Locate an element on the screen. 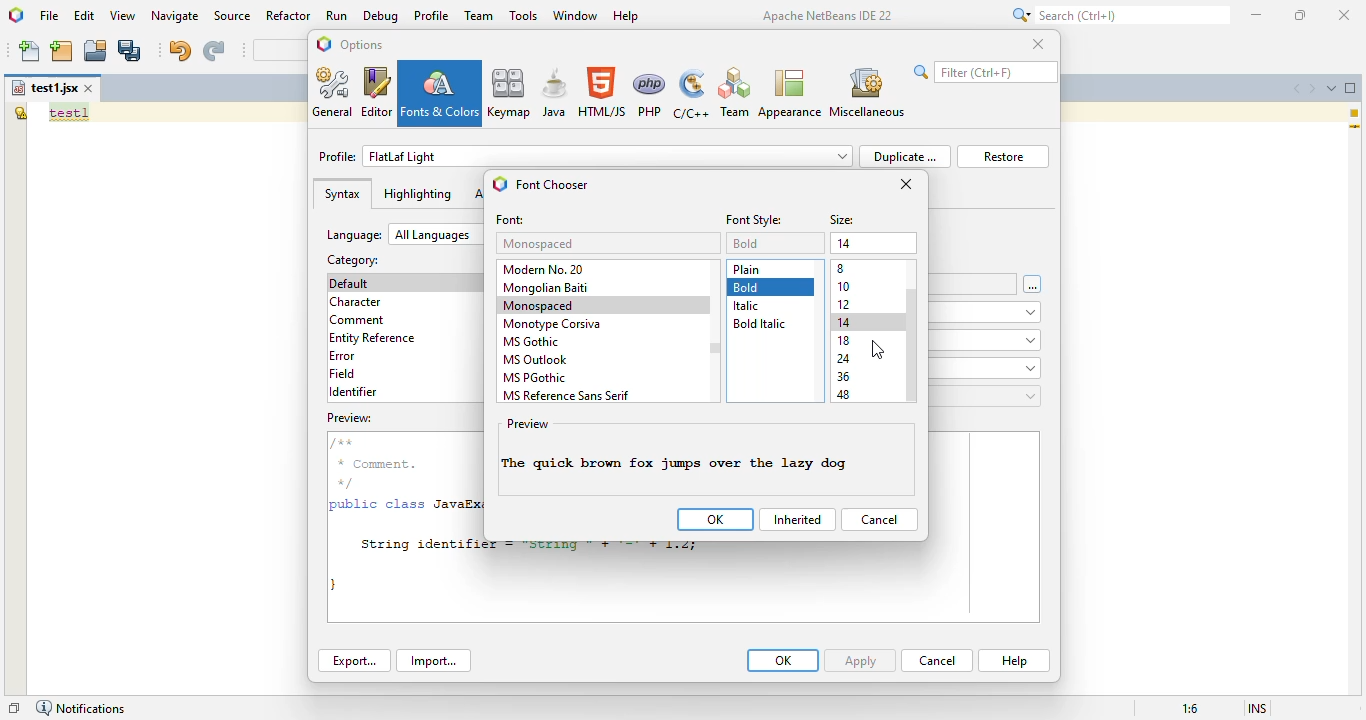 This screenshot has height=720, width=1366. new file is located at coordinates (31, 51).